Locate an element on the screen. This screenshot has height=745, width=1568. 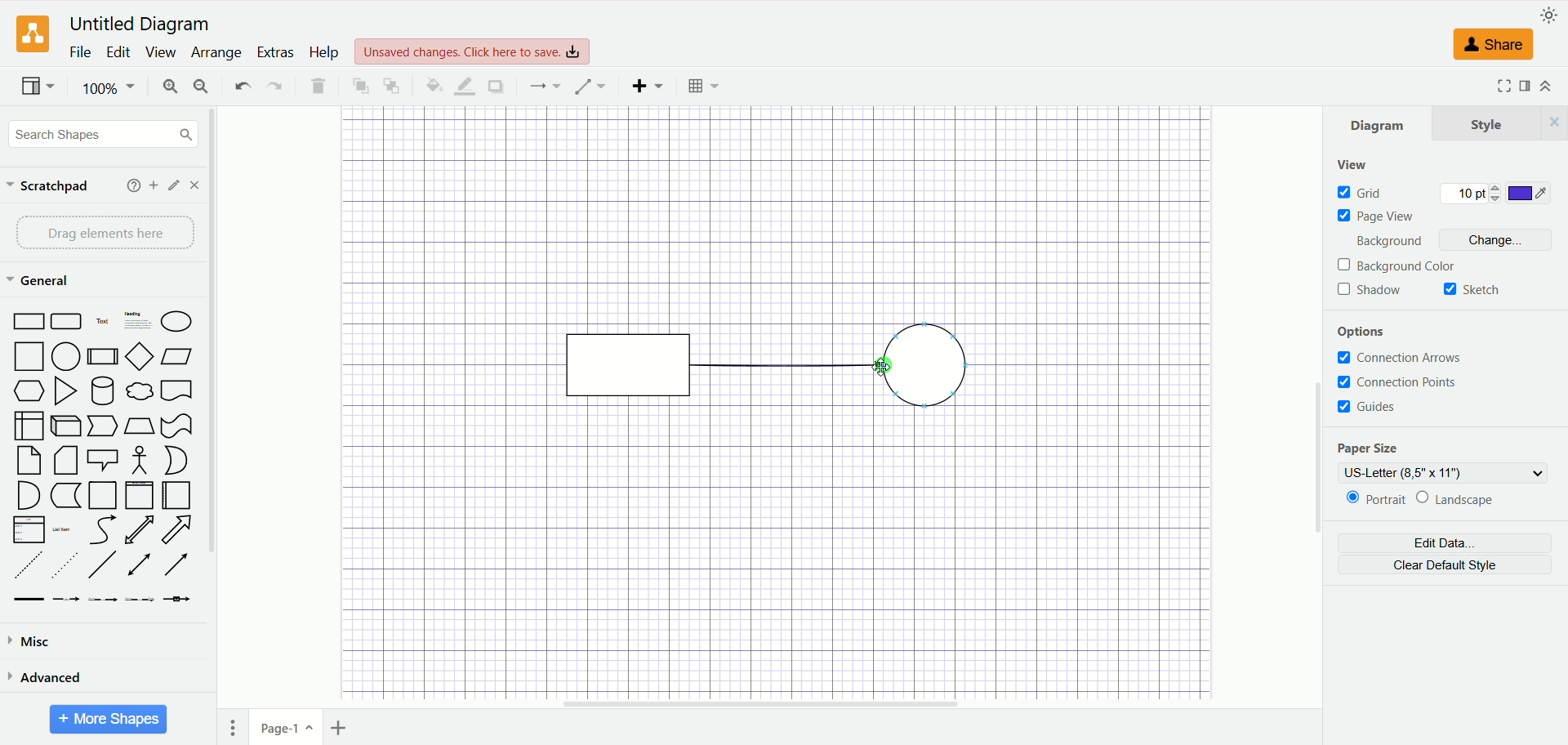
Curved Arrow is located at coordinates (105, 531).